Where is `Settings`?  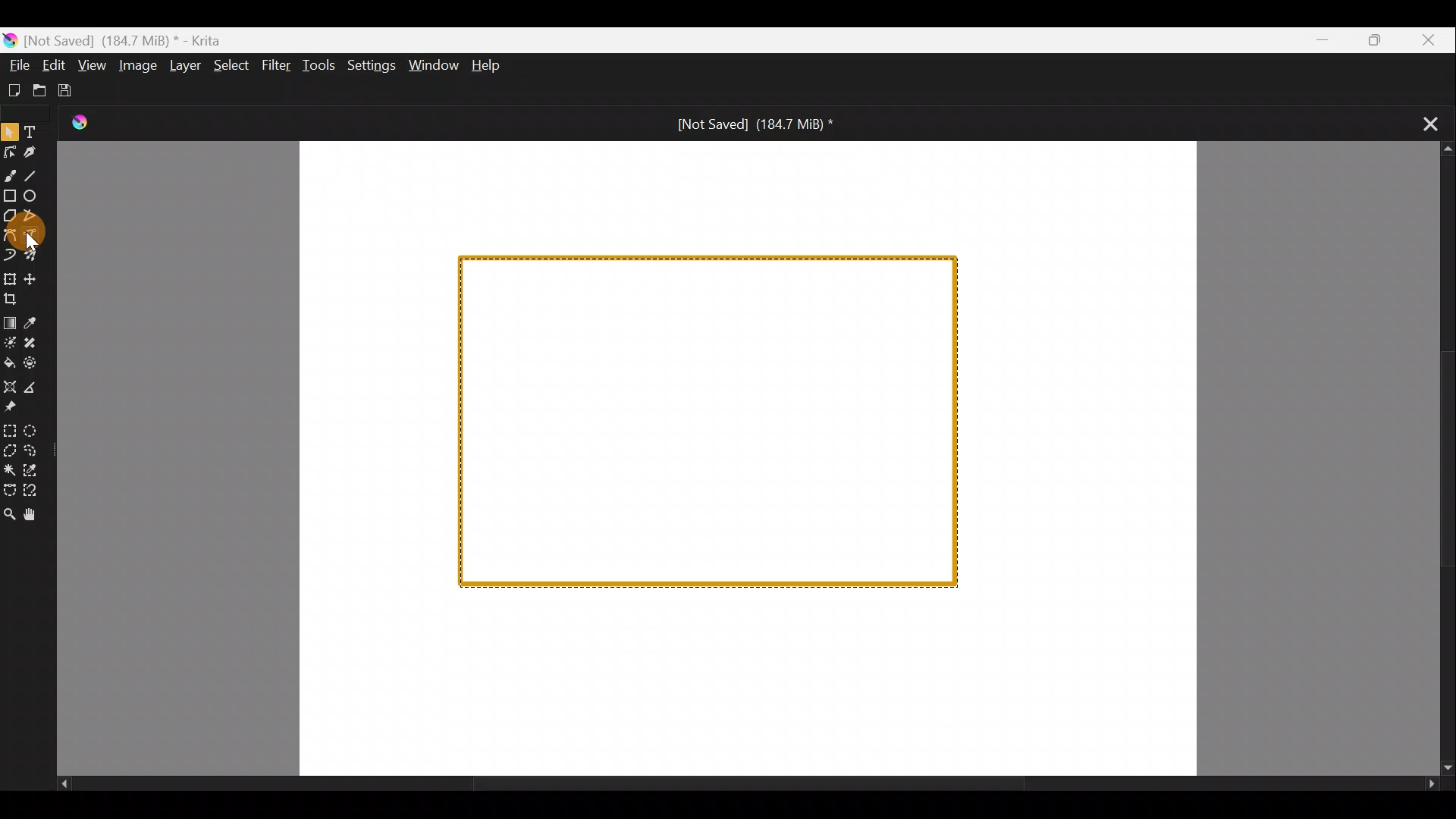 Settings is located at coordinates (370, 64).